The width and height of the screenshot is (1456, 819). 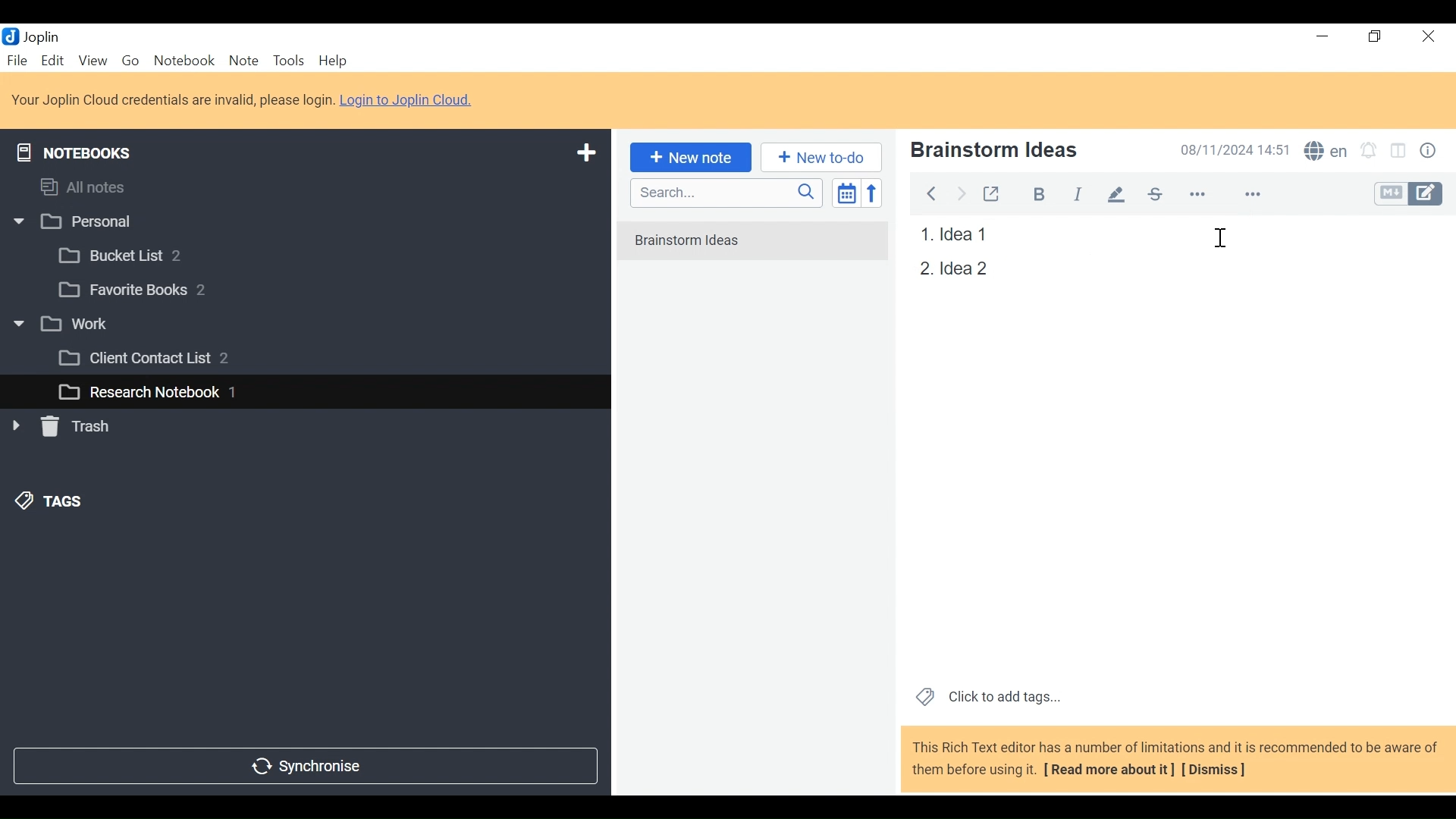 I want to click on Note View, so click(x=950, y=268).